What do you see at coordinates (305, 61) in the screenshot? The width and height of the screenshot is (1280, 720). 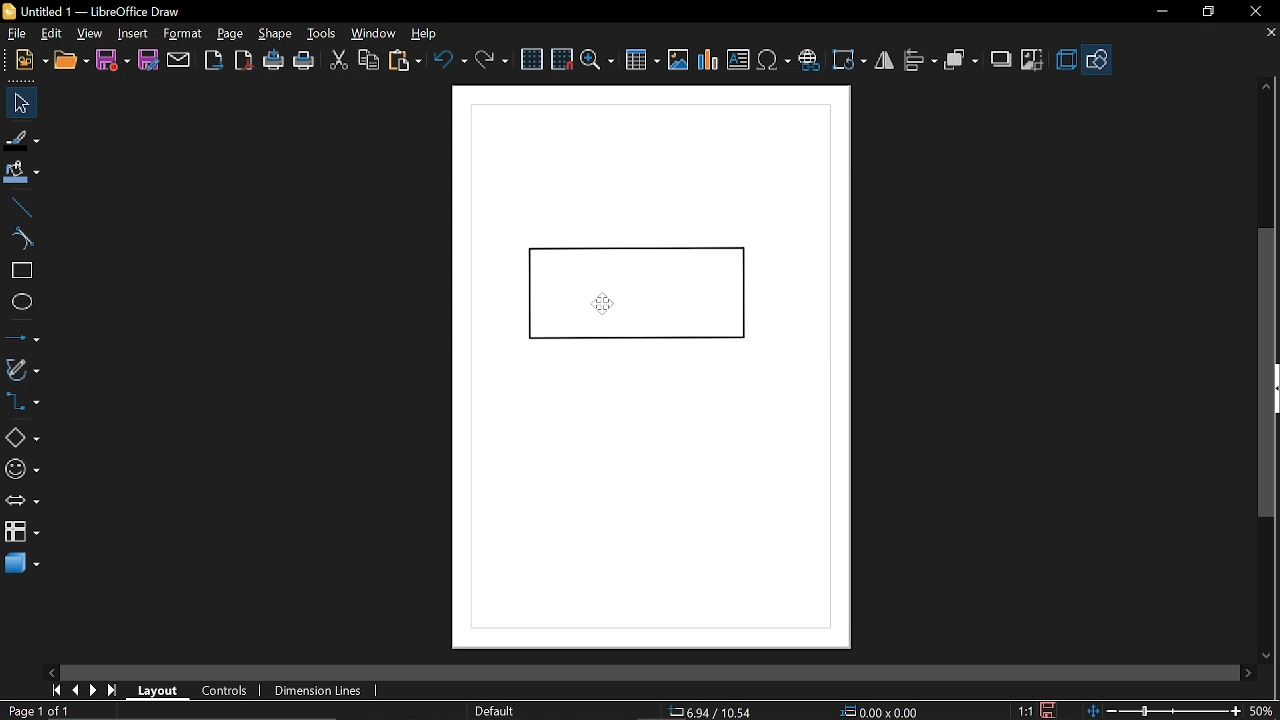 I see `Print` at bounding box center [305, 61].